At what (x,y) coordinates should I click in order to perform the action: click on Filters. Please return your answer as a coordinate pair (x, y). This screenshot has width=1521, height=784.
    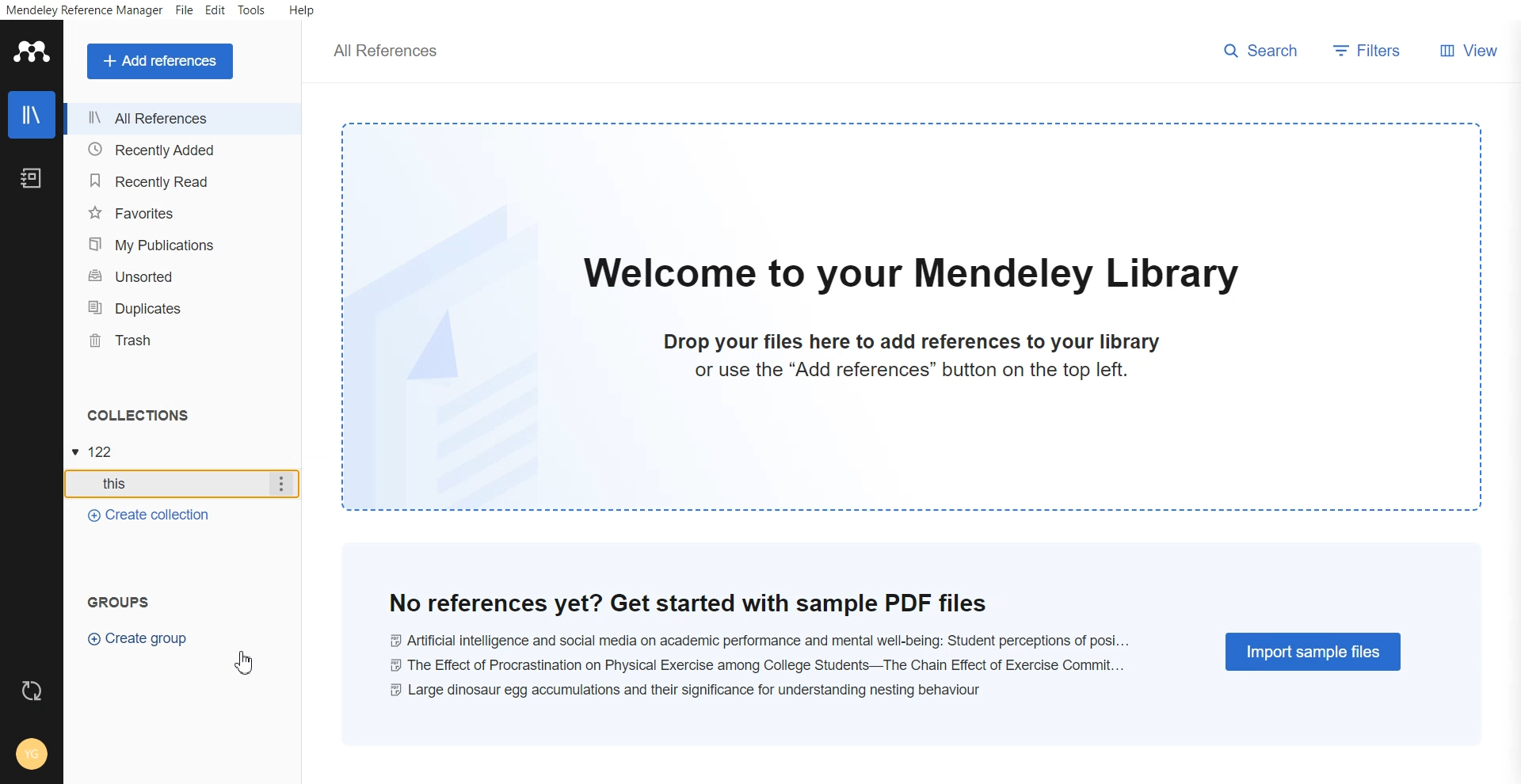
    Looking at the image, I should click on (1367, 51).